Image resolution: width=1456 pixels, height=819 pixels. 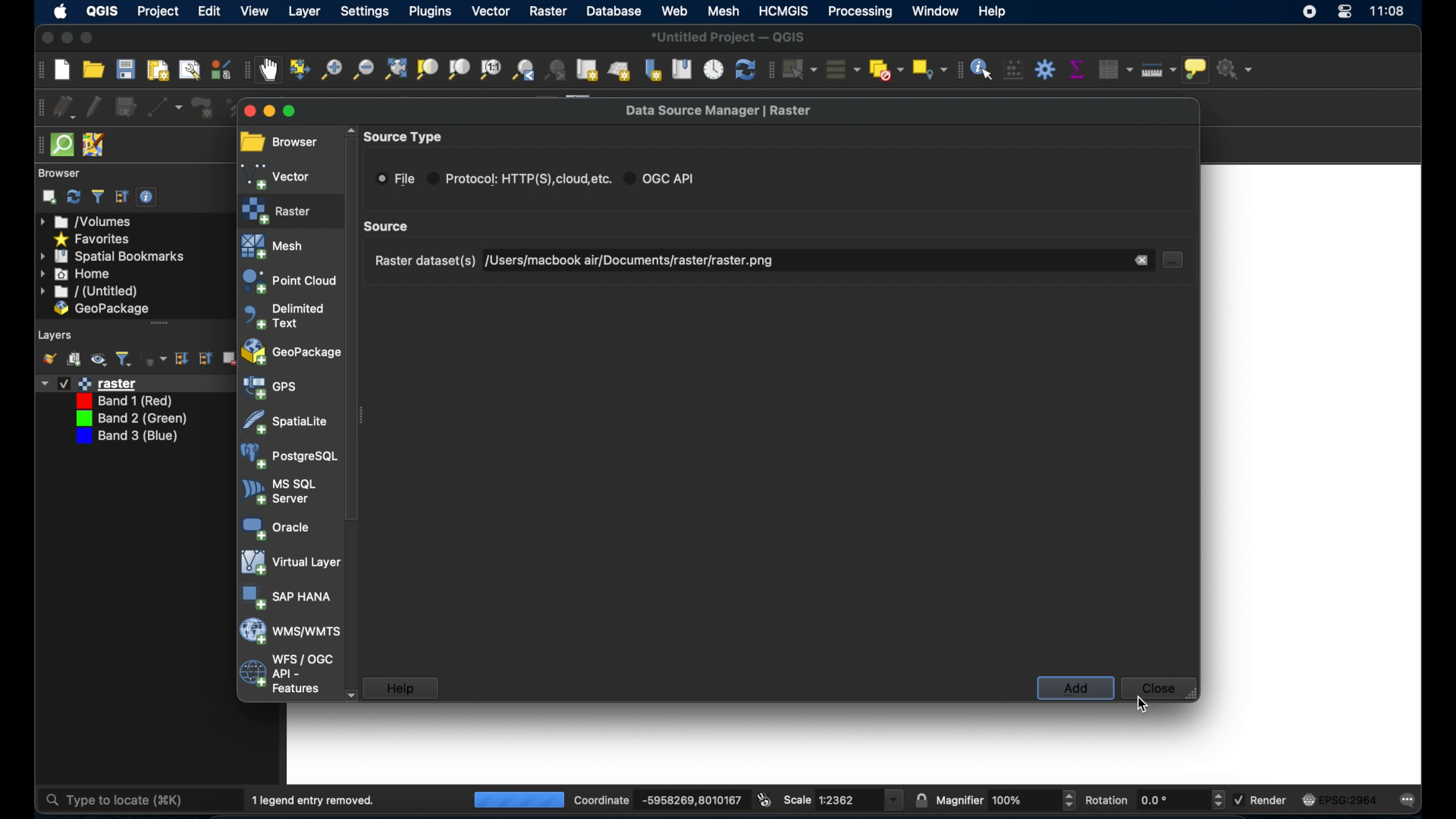 What do you see at coordinates (158, 11) in the screenshot?
I see `project` at bounding box center [158, 11].